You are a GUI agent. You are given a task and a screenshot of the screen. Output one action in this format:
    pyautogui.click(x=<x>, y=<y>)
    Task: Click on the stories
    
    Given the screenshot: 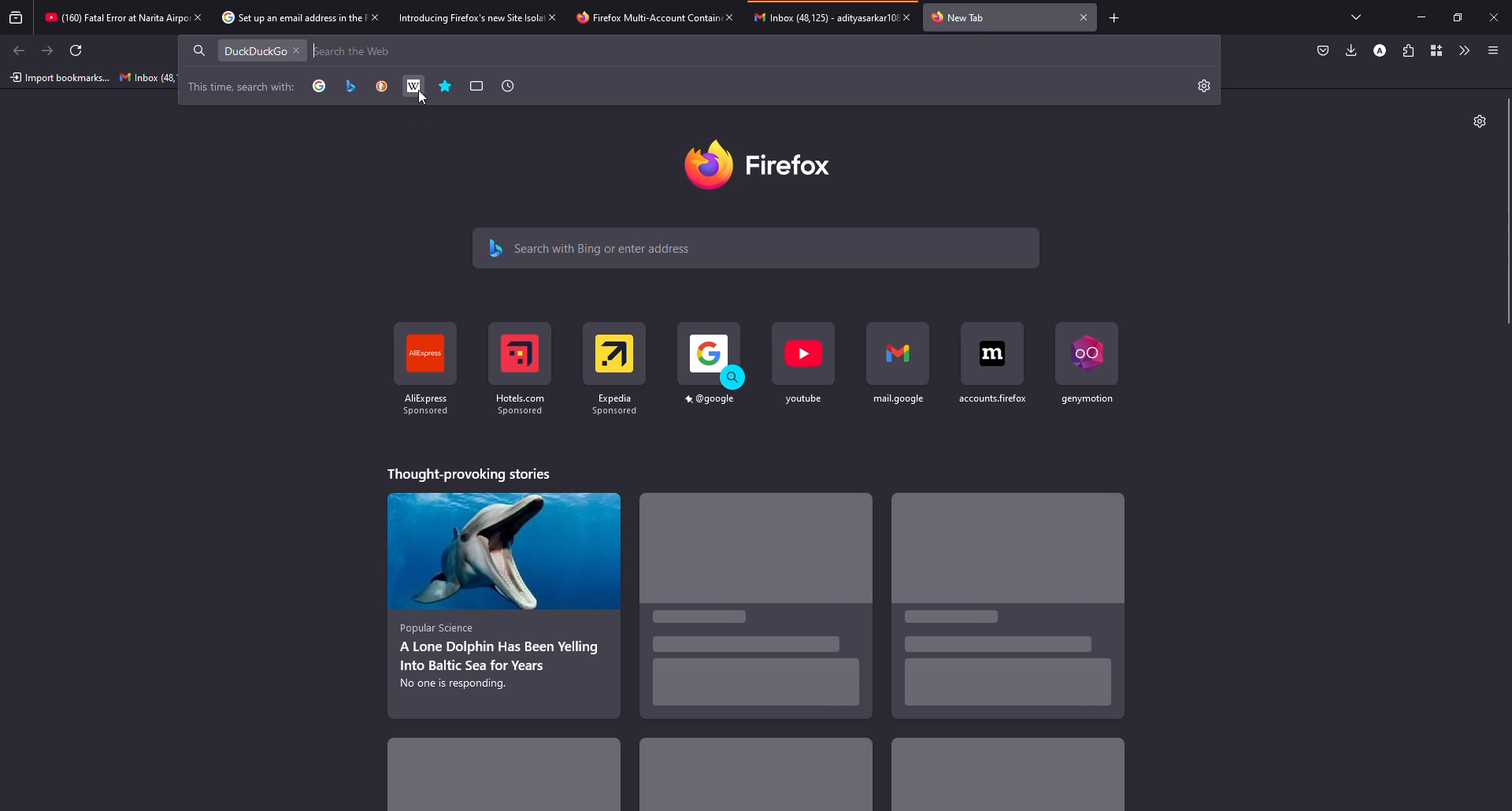 What is the action you would take?
    pyautogui.click(x=1004, y=778)
    